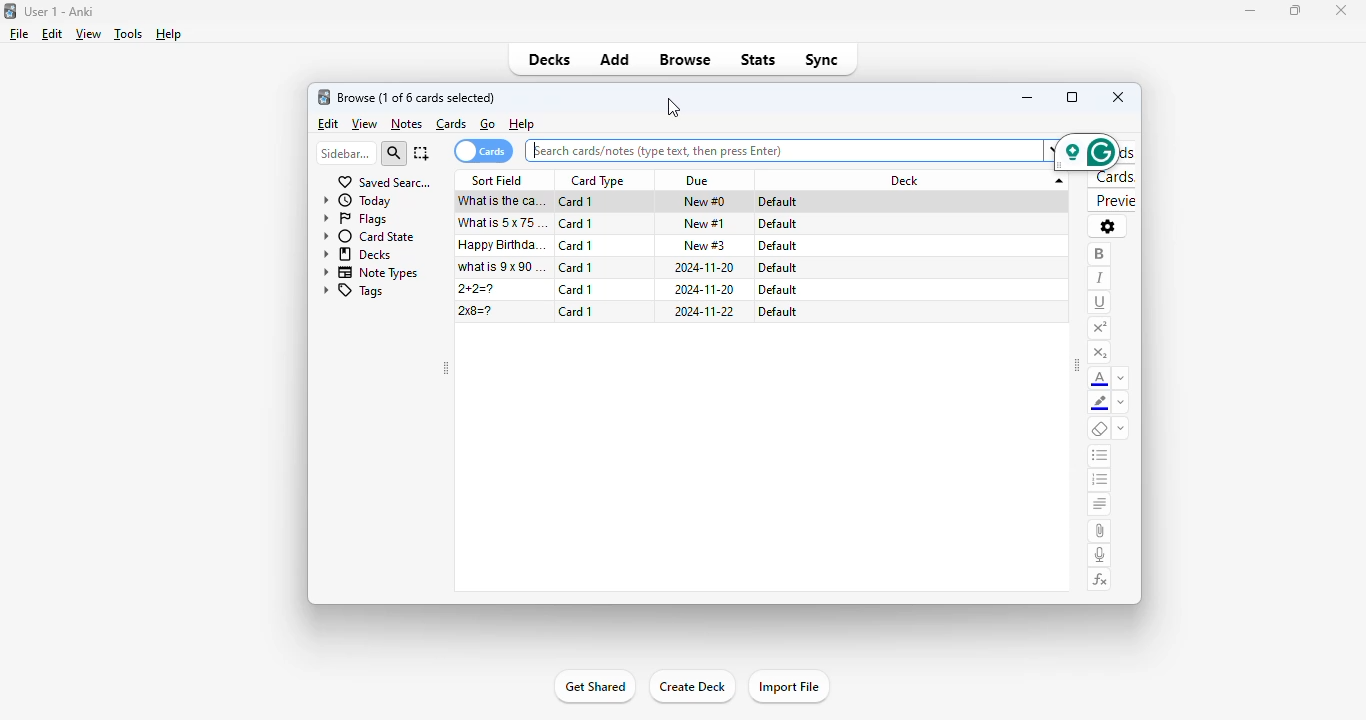 This screenshot has height=720, width=1366. What do you see at coordinates (684, 60) in the screenshot?
I see `browse` at bounding box center [684, 60].